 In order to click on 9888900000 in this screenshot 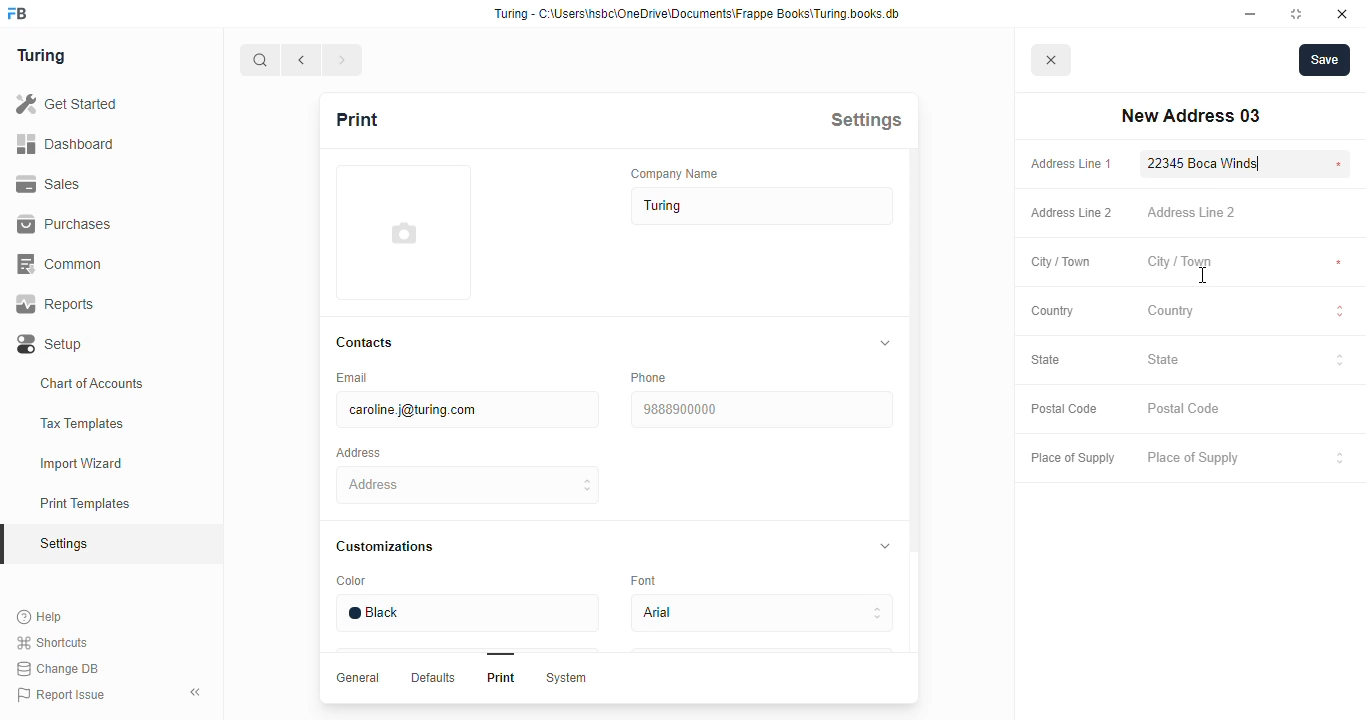, I will do `click(760, 410)`.